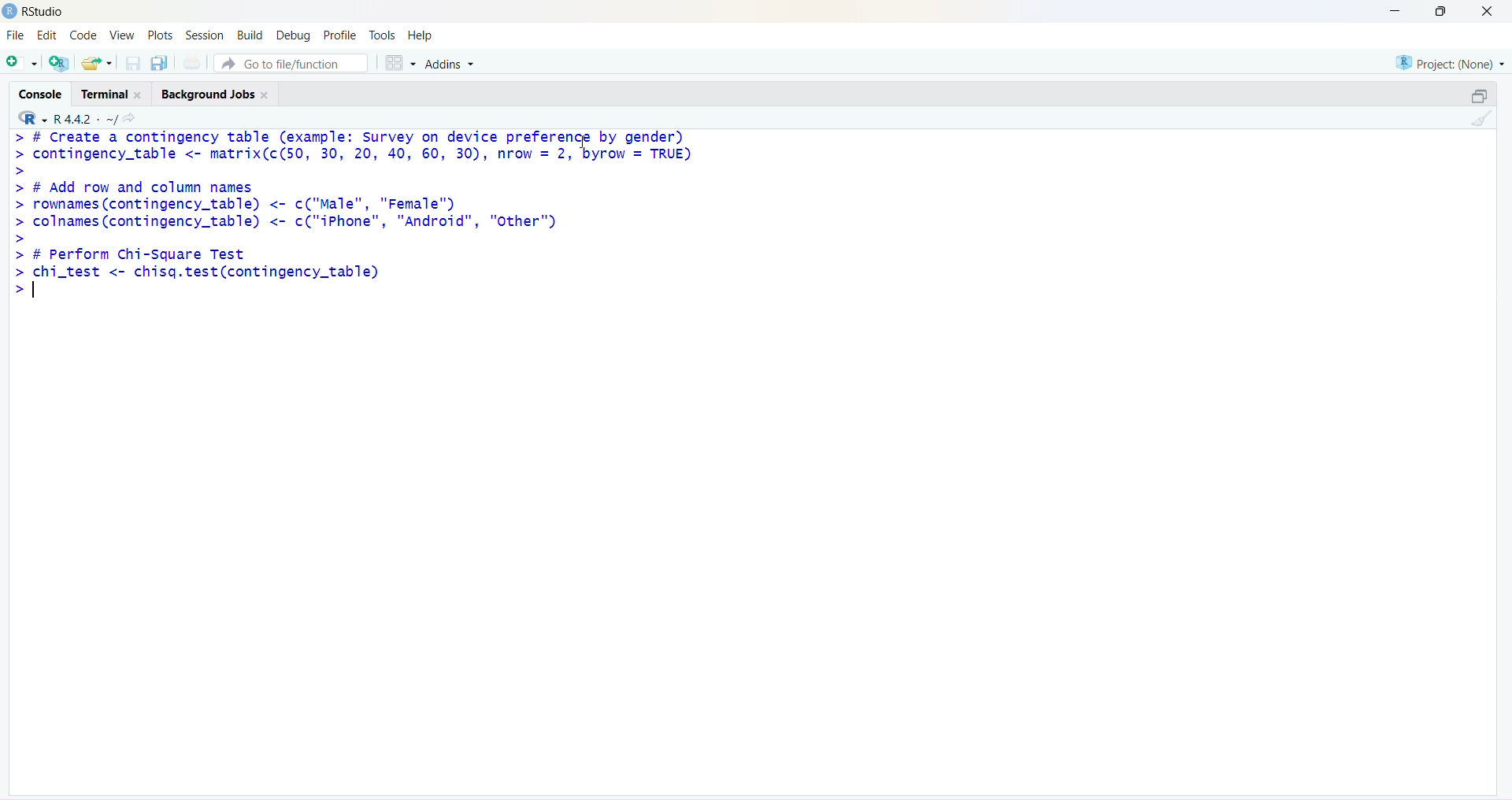 Image resolution: width=1512 pixels, height=800 pixels. What do you see at coordinates (208, 95) in the screenshot?
I see `Background jobs` at bounding box center [208, 95].